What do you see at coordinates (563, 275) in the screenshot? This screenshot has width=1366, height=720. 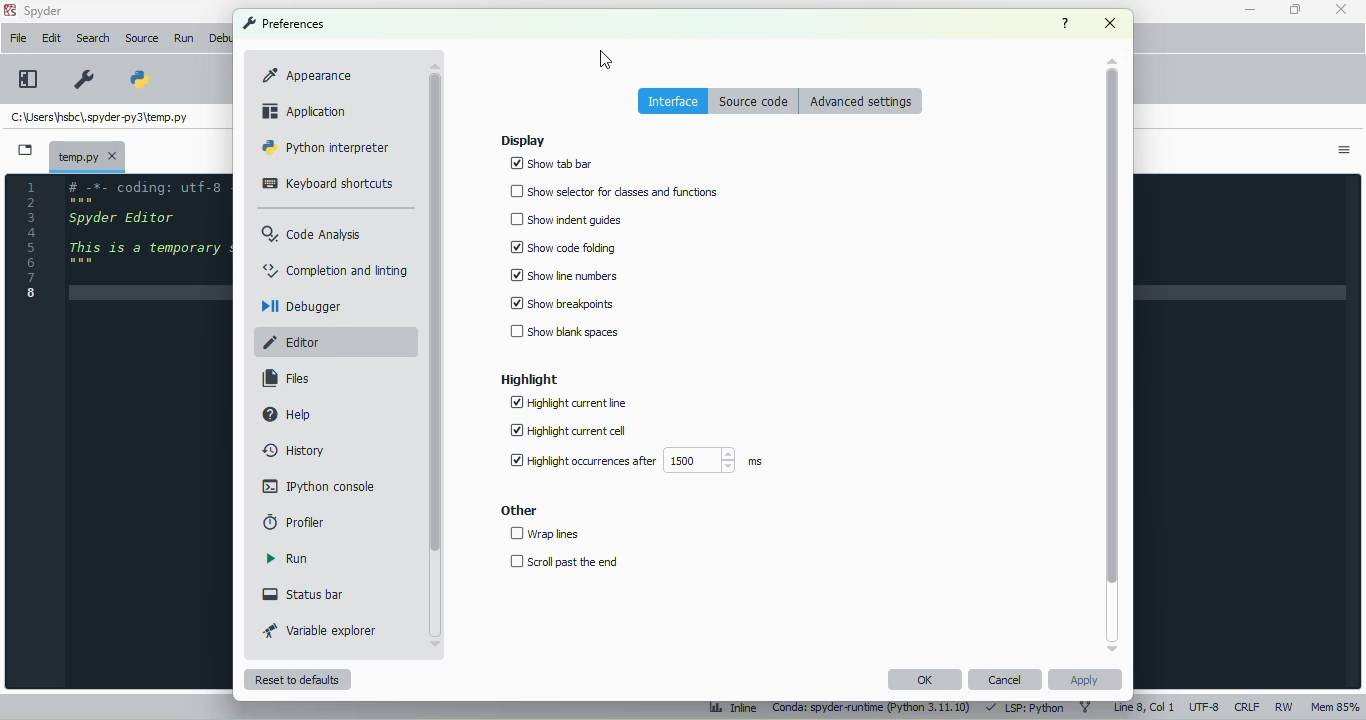 I see `show line numbers` at bounding box center [563, 275].